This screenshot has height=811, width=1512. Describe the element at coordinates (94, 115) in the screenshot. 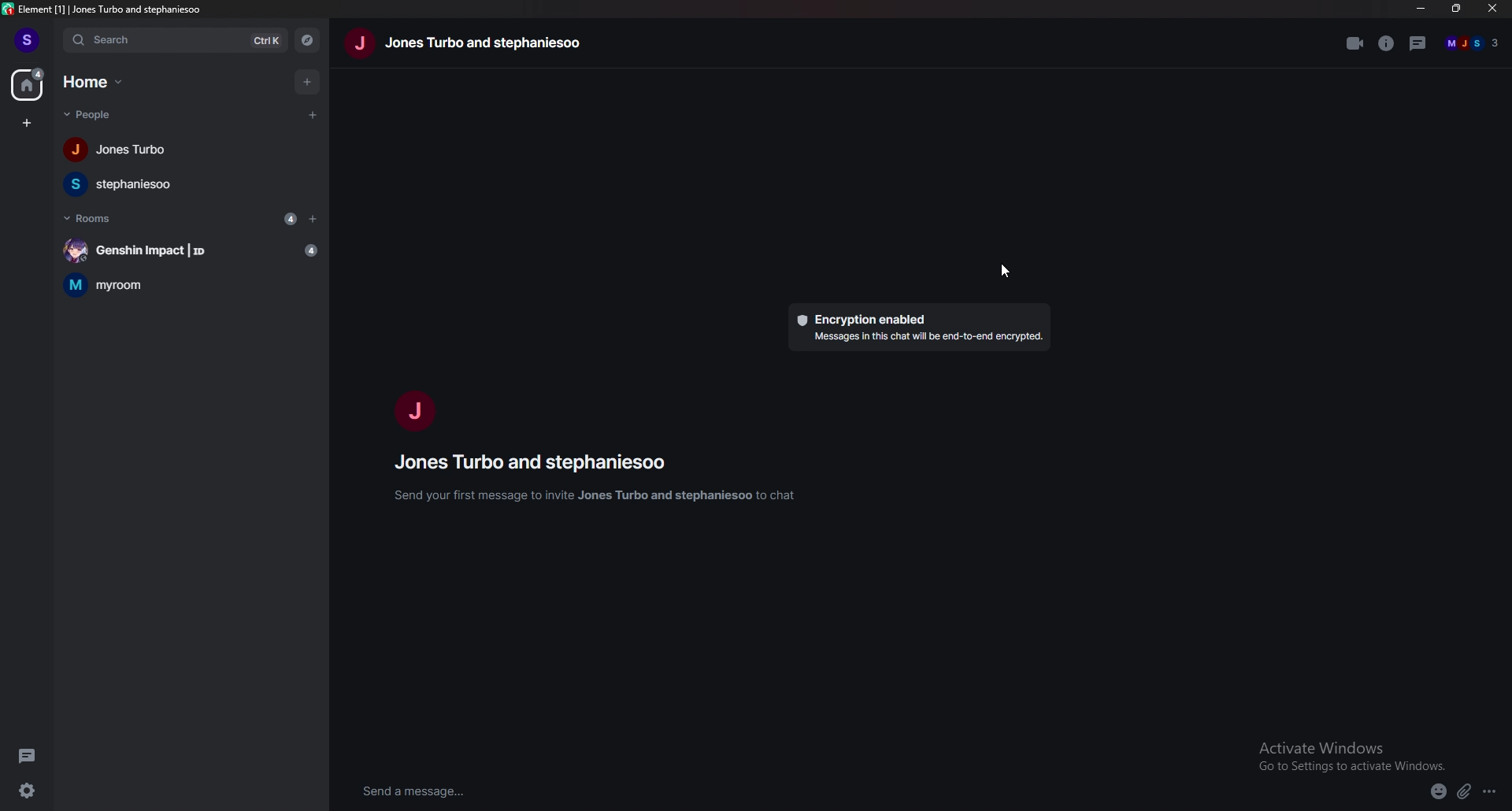

I see `people` at that location.